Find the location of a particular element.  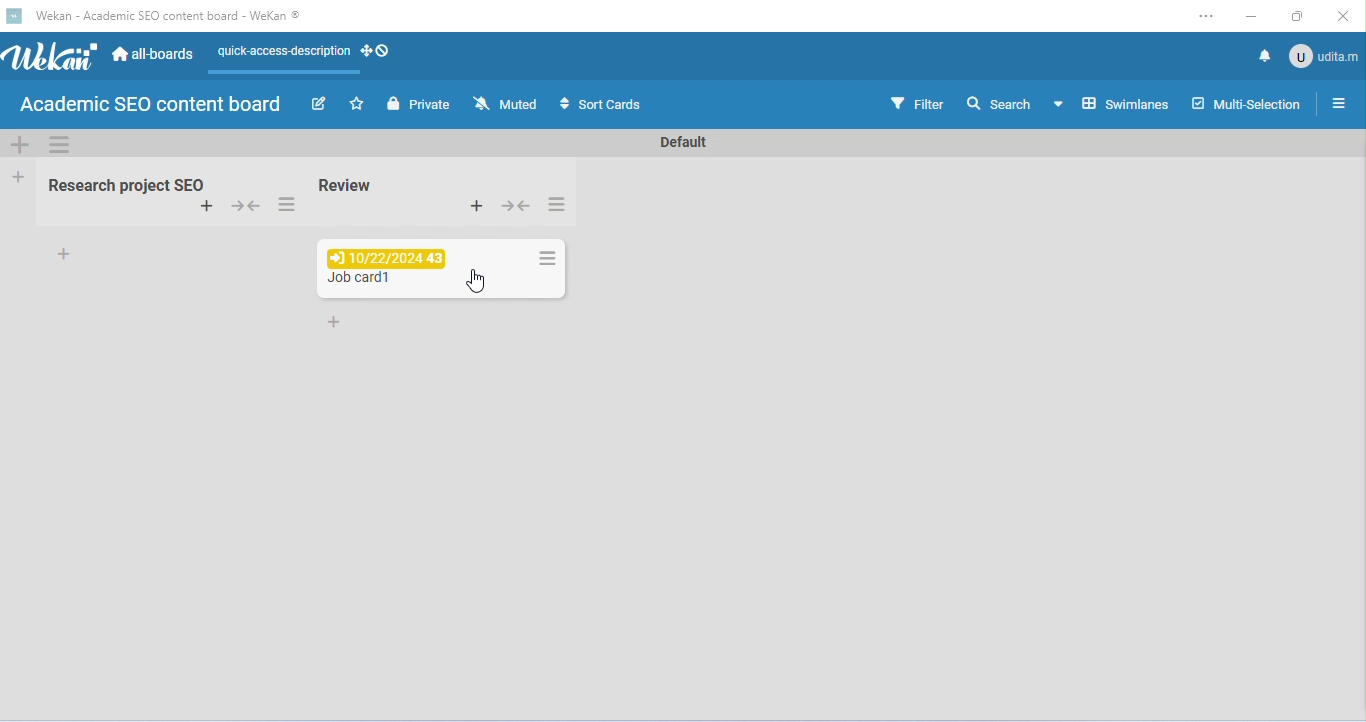

card actions is located at coordinates (546, 258).